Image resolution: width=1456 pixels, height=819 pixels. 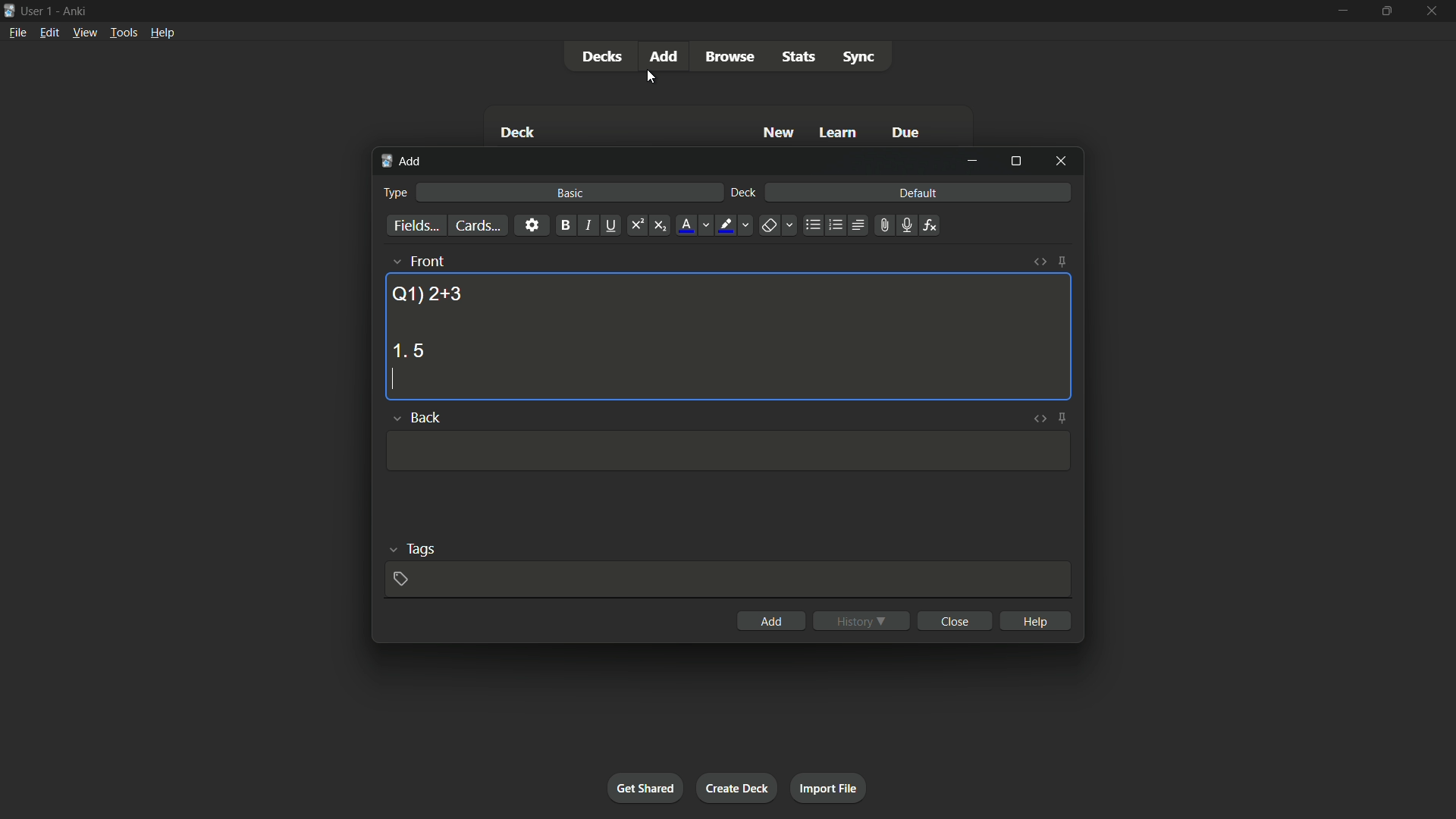 I want to click on history, so click(x=861, y=621).